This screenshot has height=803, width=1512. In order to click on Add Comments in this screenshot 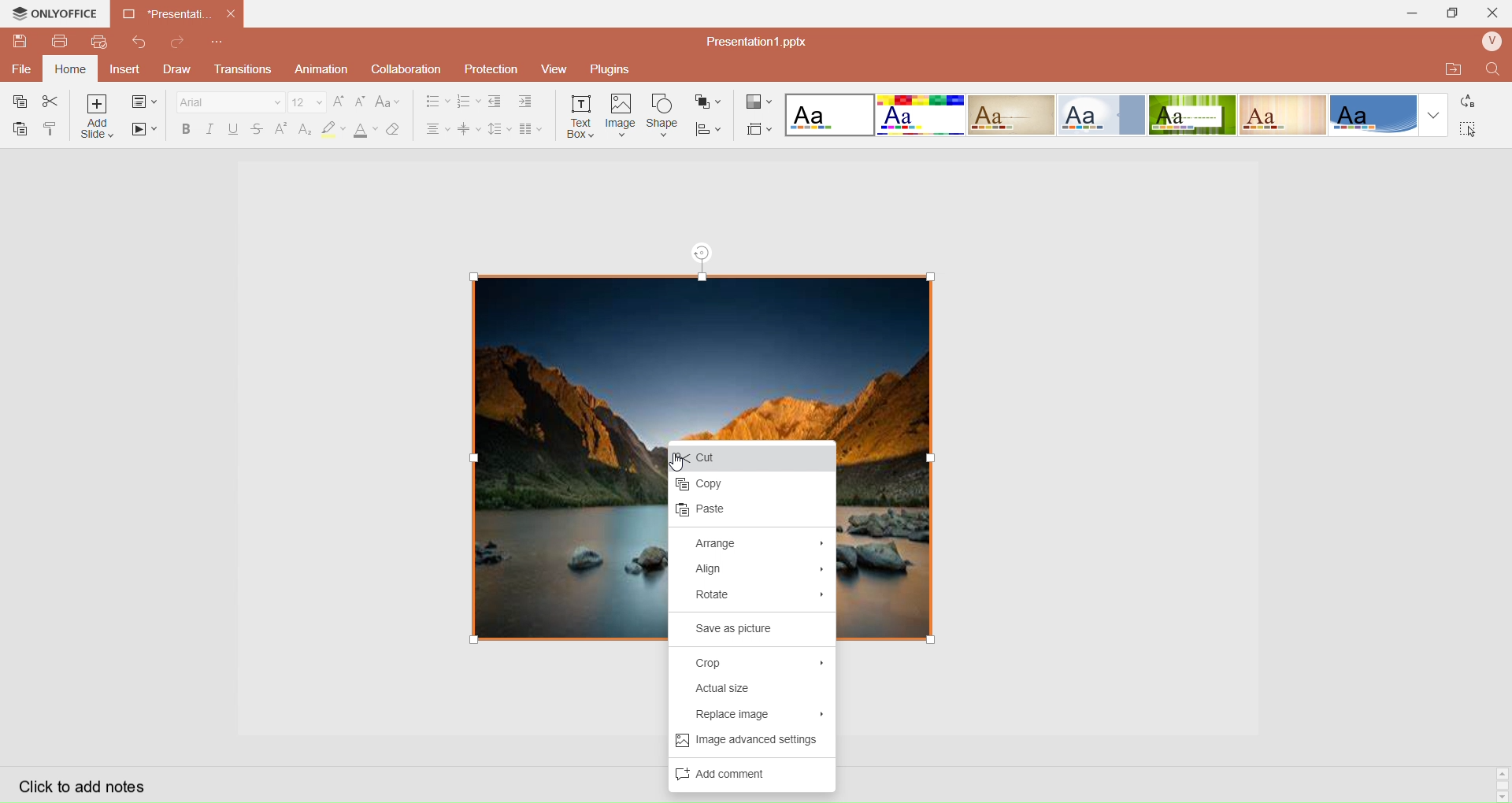, I will do `click(751, 775)`.